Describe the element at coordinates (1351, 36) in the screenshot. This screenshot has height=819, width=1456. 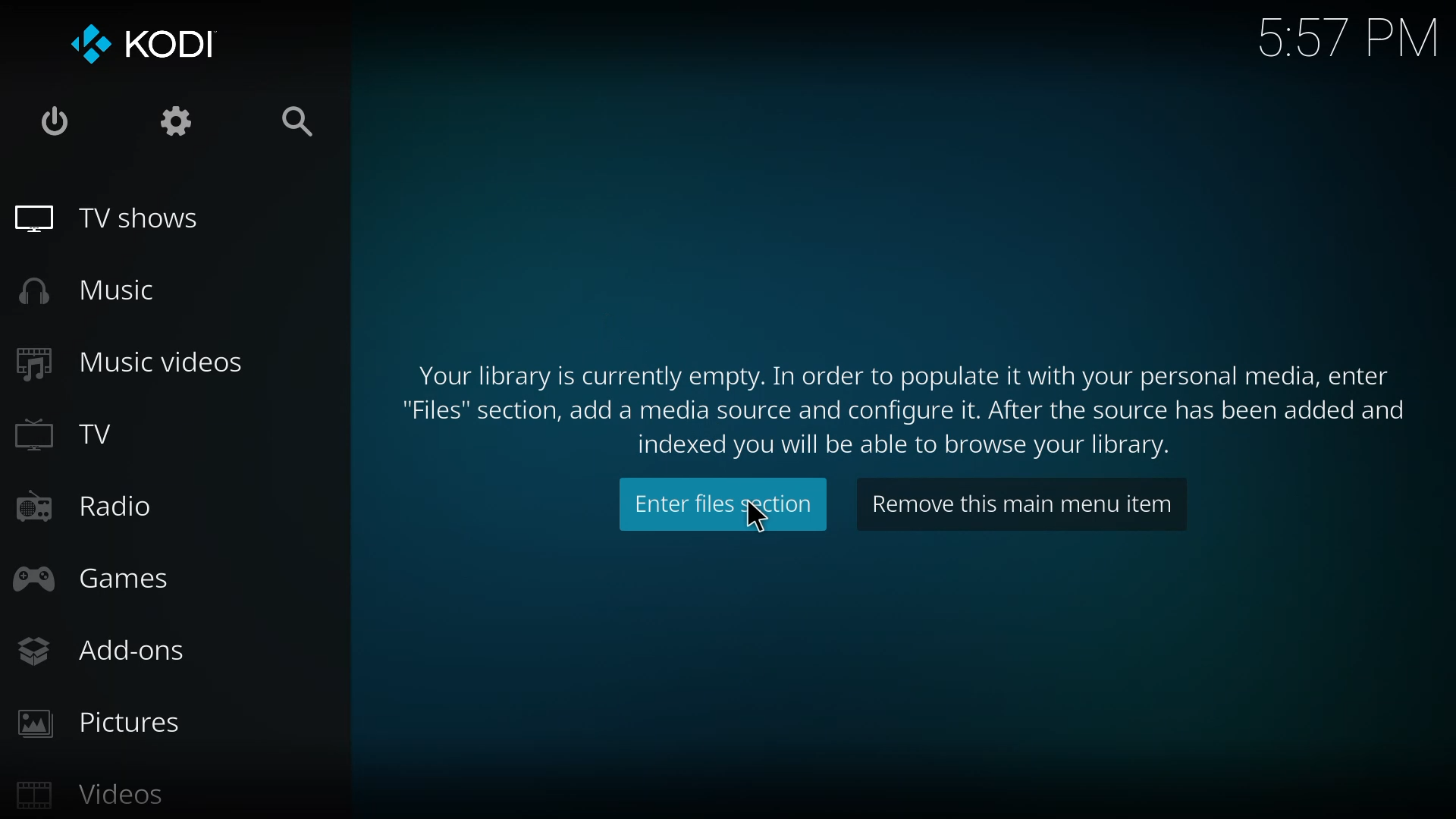
I see `time` at that location.